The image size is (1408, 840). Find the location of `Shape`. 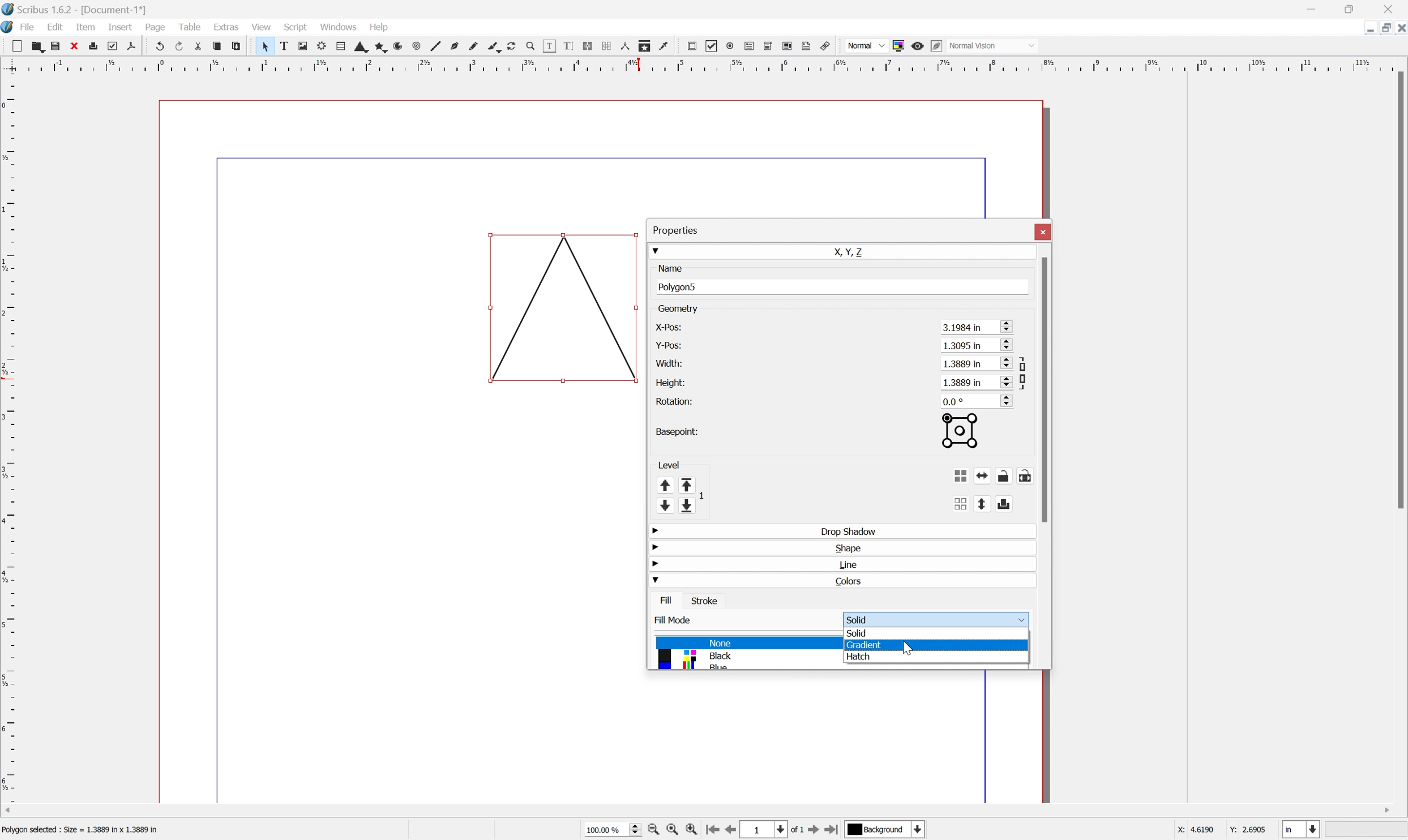

Shape is located at coordinates (854, 547).